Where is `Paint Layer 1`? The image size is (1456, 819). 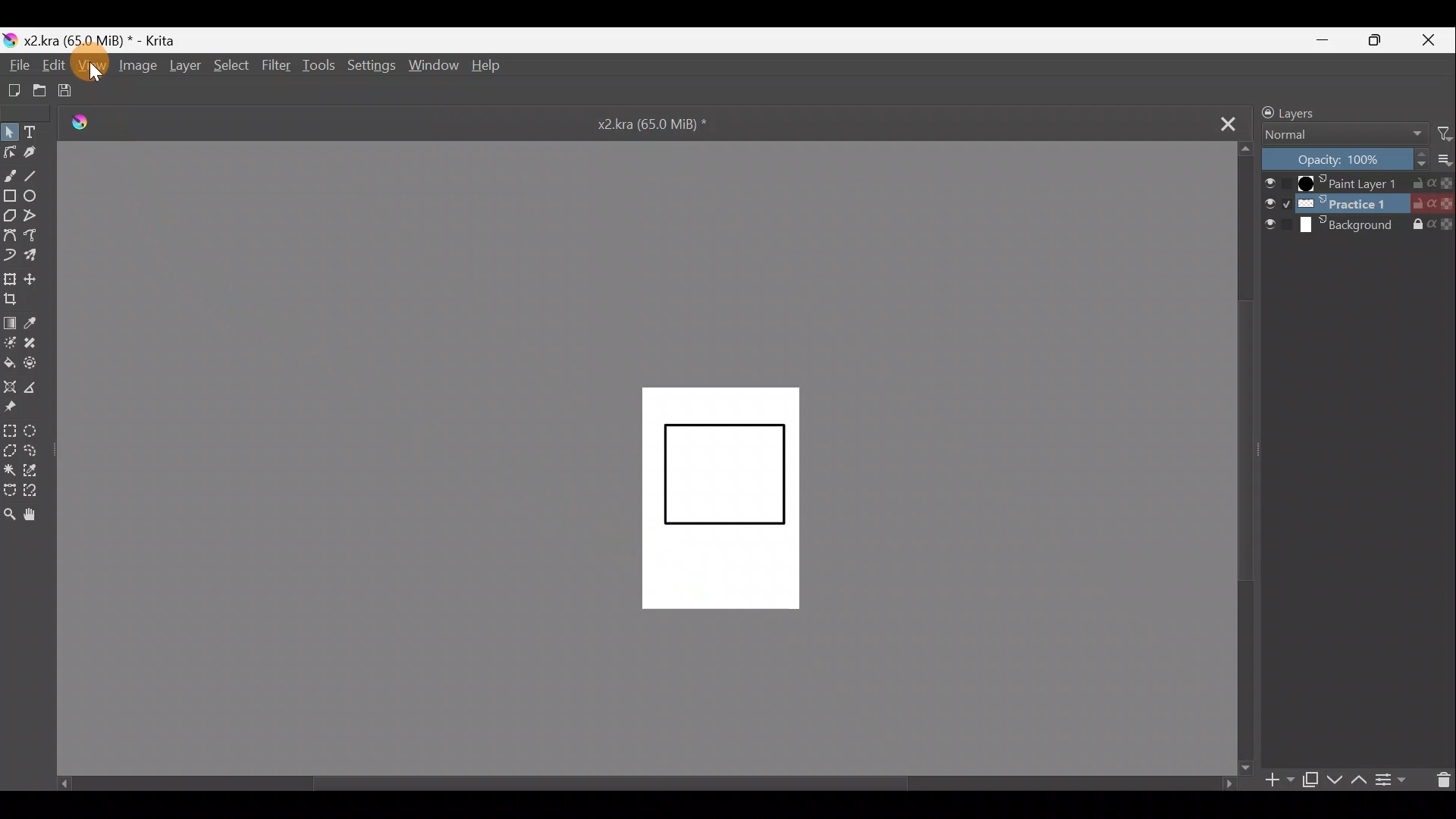 Paint Layer 1 is located at coordinates (1355, 182).